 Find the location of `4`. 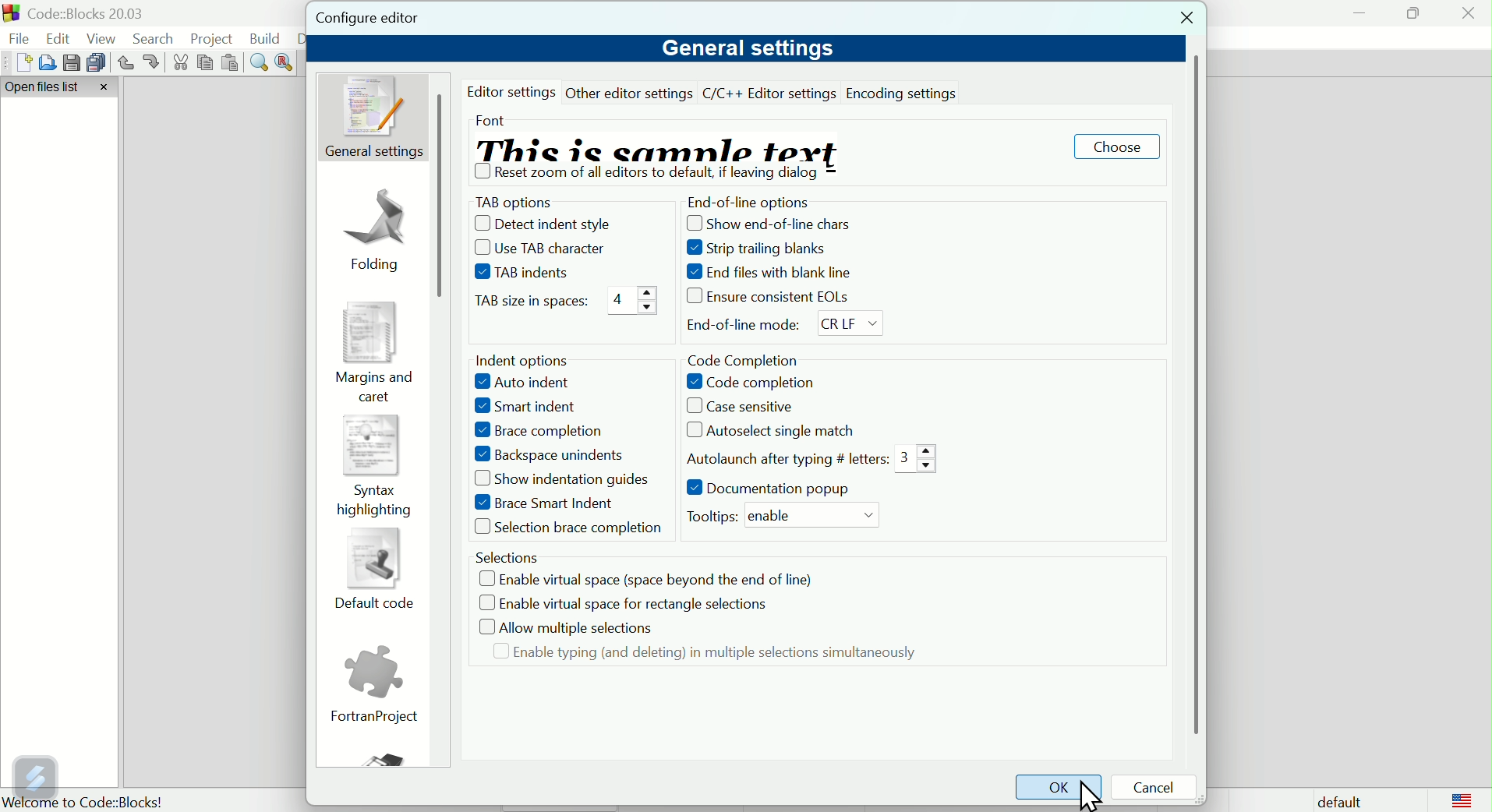

4 is located at coordinates (630, 302).